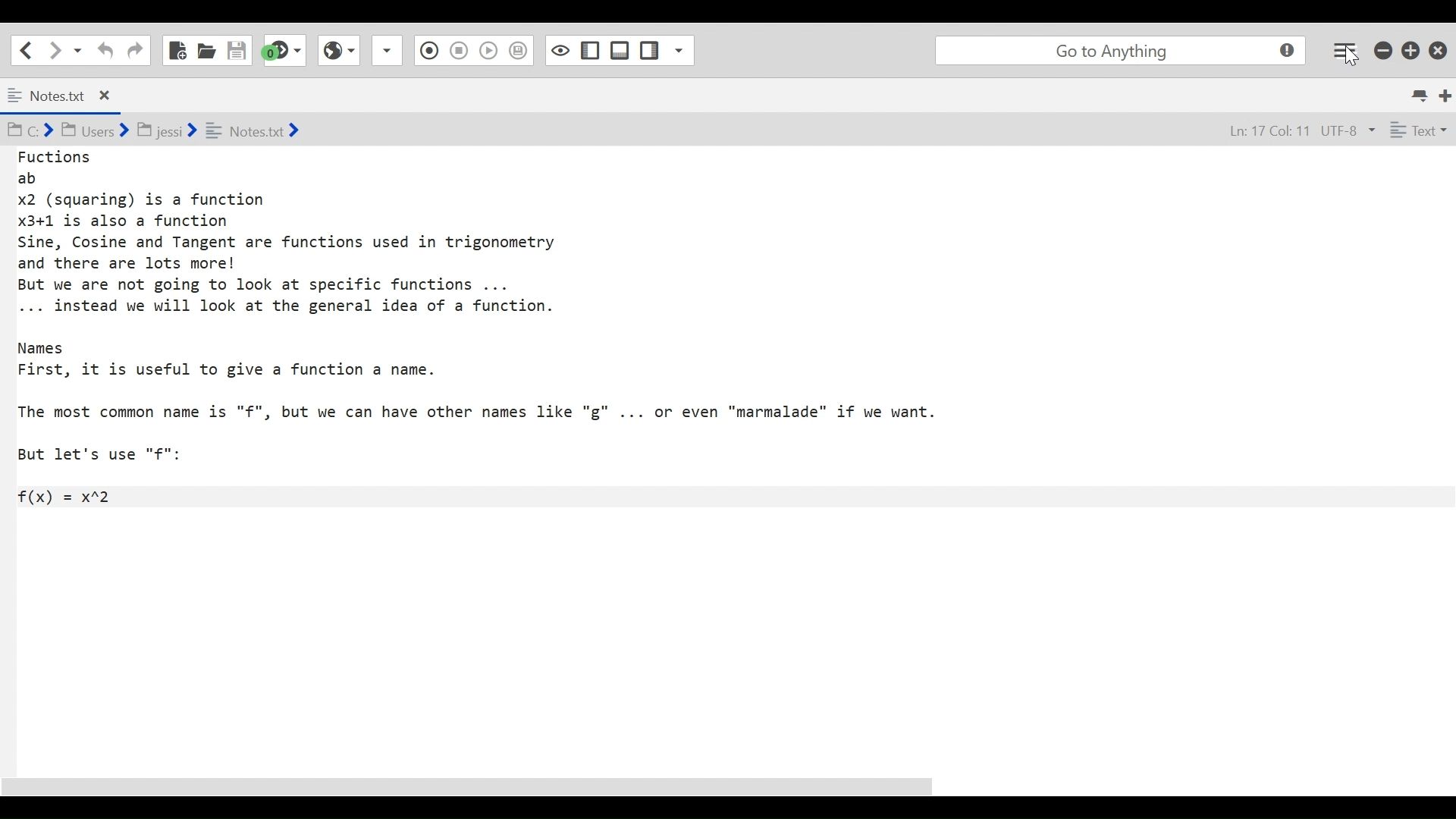 This screenshot has width=1456, height=819. I want to click on Go forward one location, so click(56, 49).